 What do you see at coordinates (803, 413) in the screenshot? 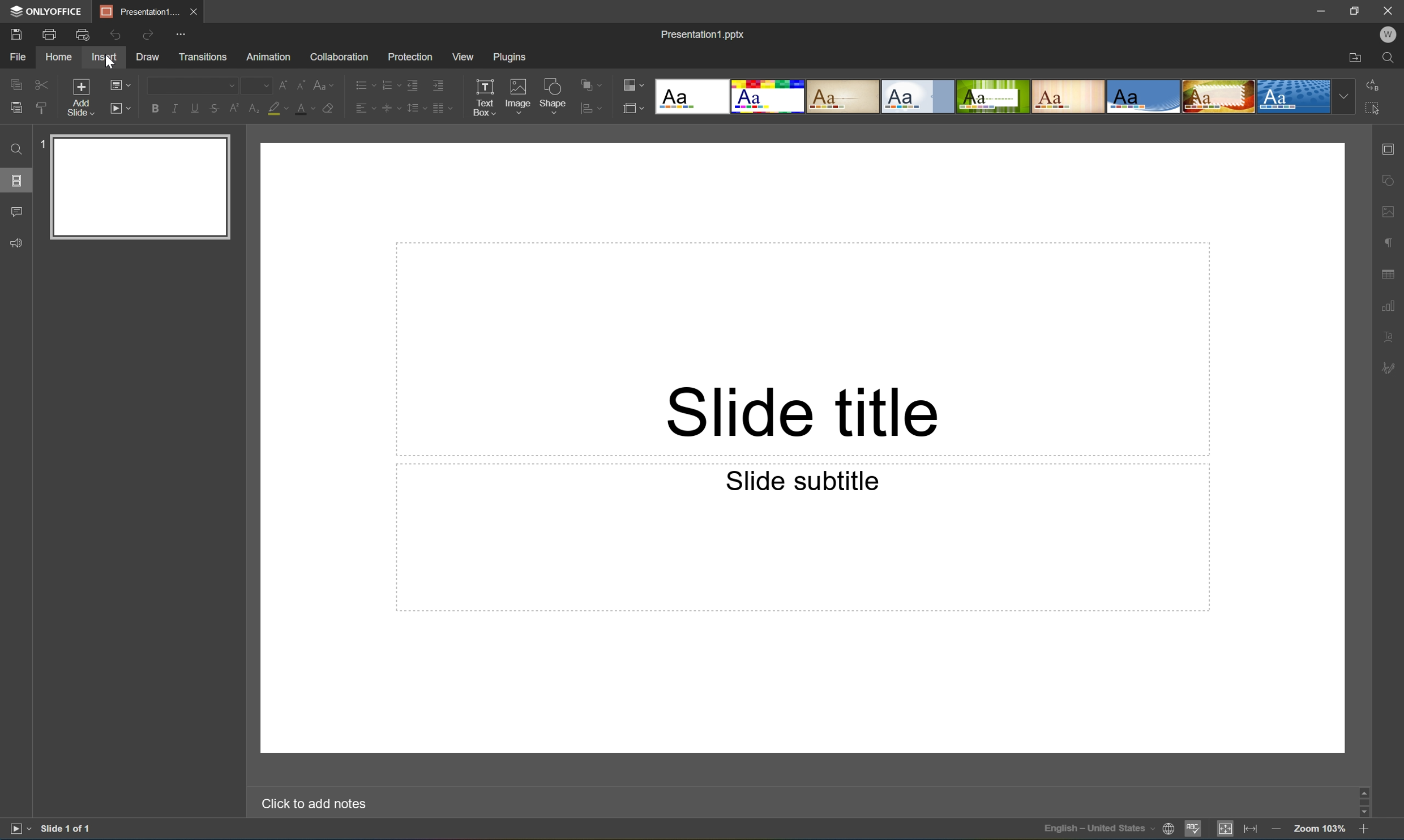
I see `Slide title` at bounding box center [803, 413].